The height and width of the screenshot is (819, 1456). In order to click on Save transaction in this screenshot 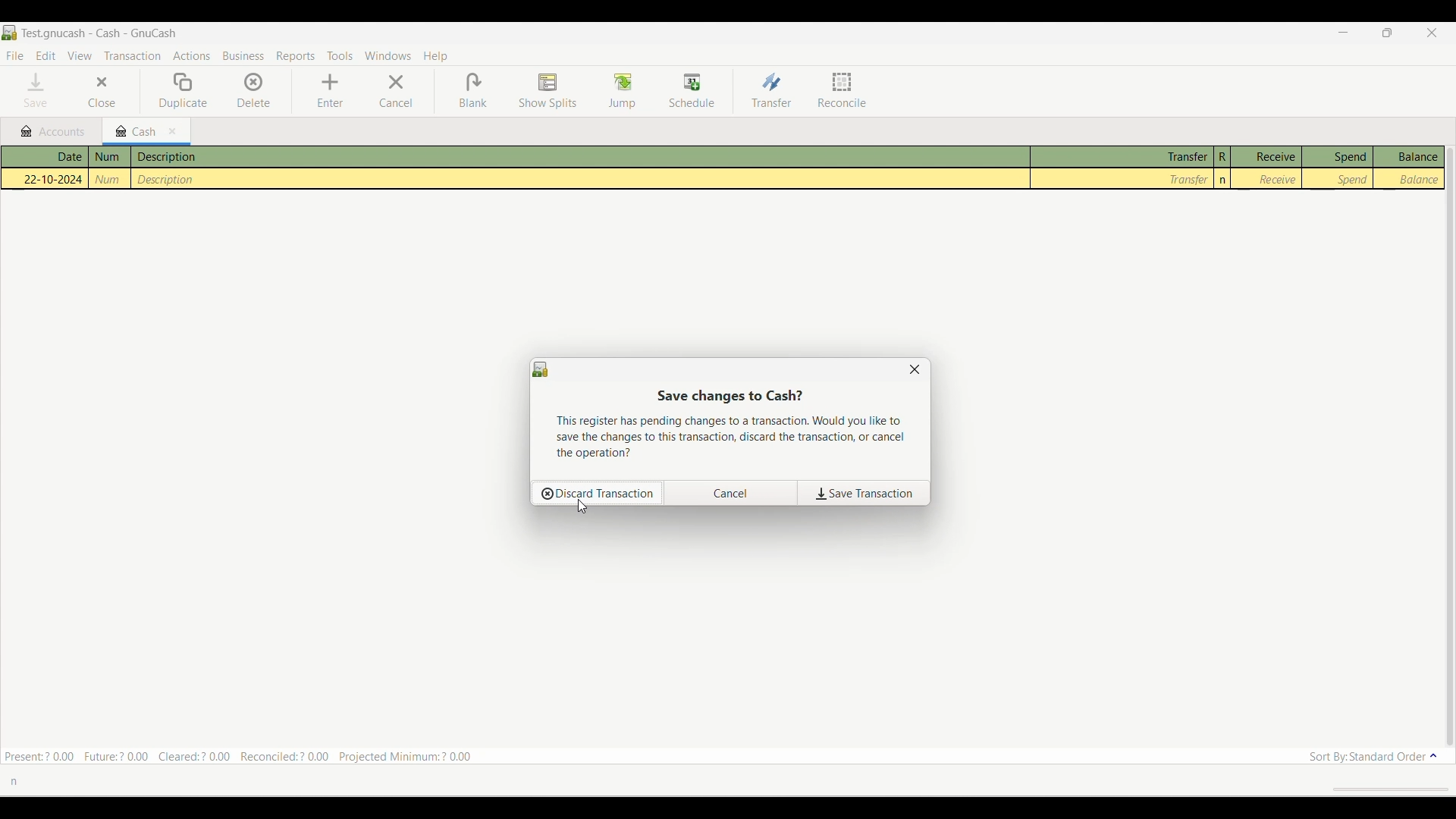, I will do `click(863, 493)`.